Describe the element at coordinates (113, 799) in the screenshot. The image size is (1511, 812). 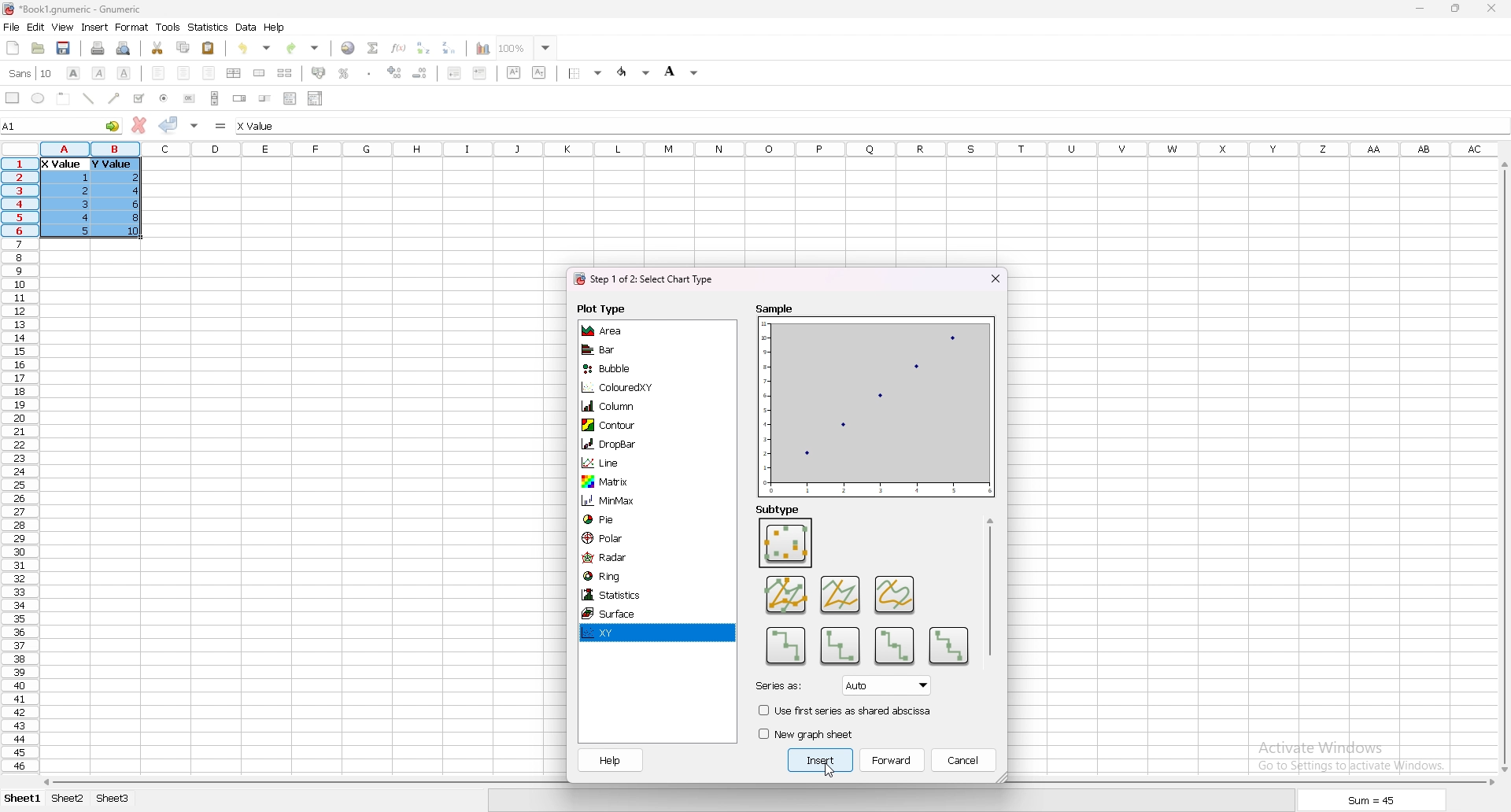
I see `sheet 3` at that location.